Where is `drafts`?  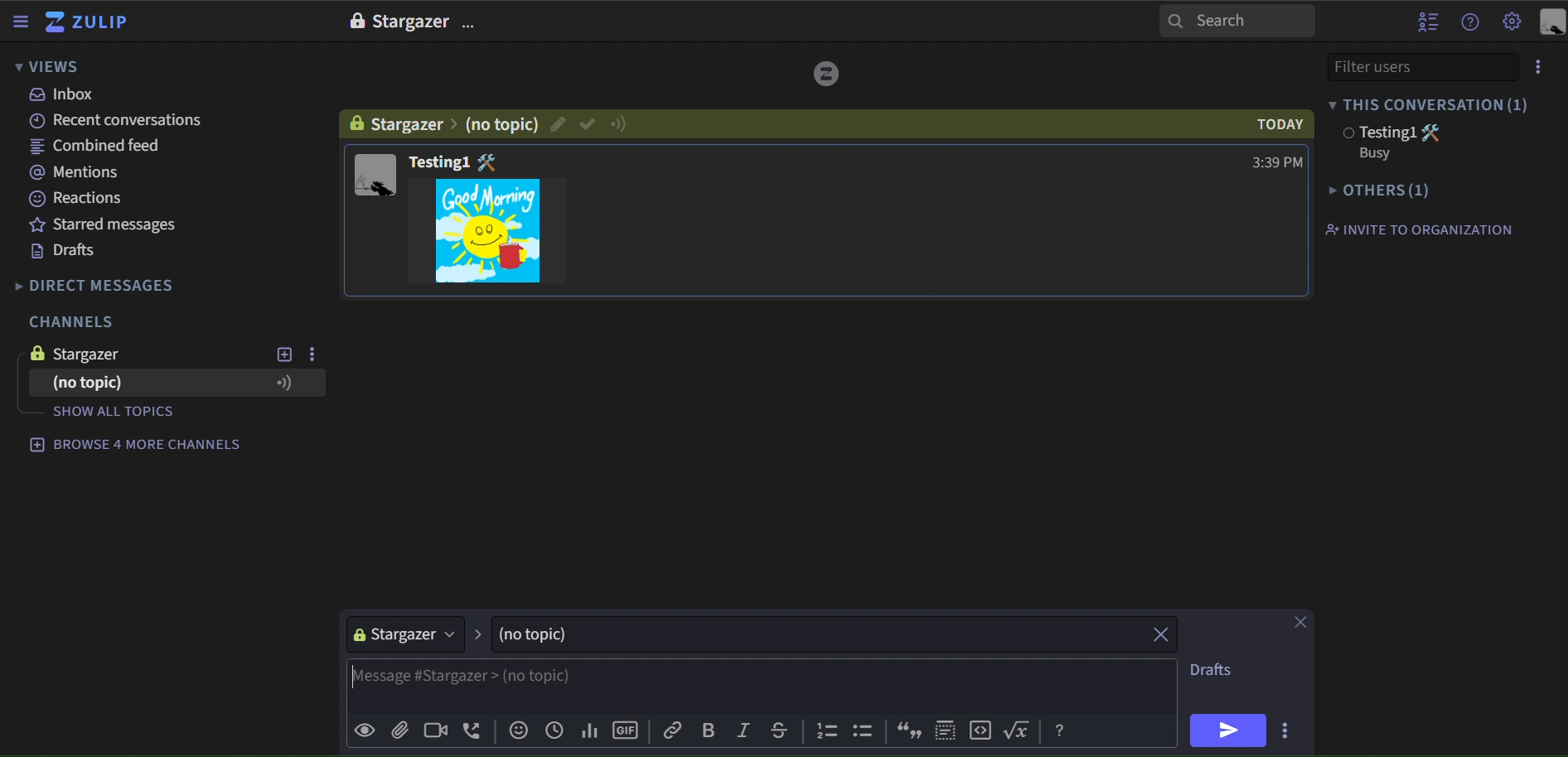
drafts is located at coordinates (64, 252).